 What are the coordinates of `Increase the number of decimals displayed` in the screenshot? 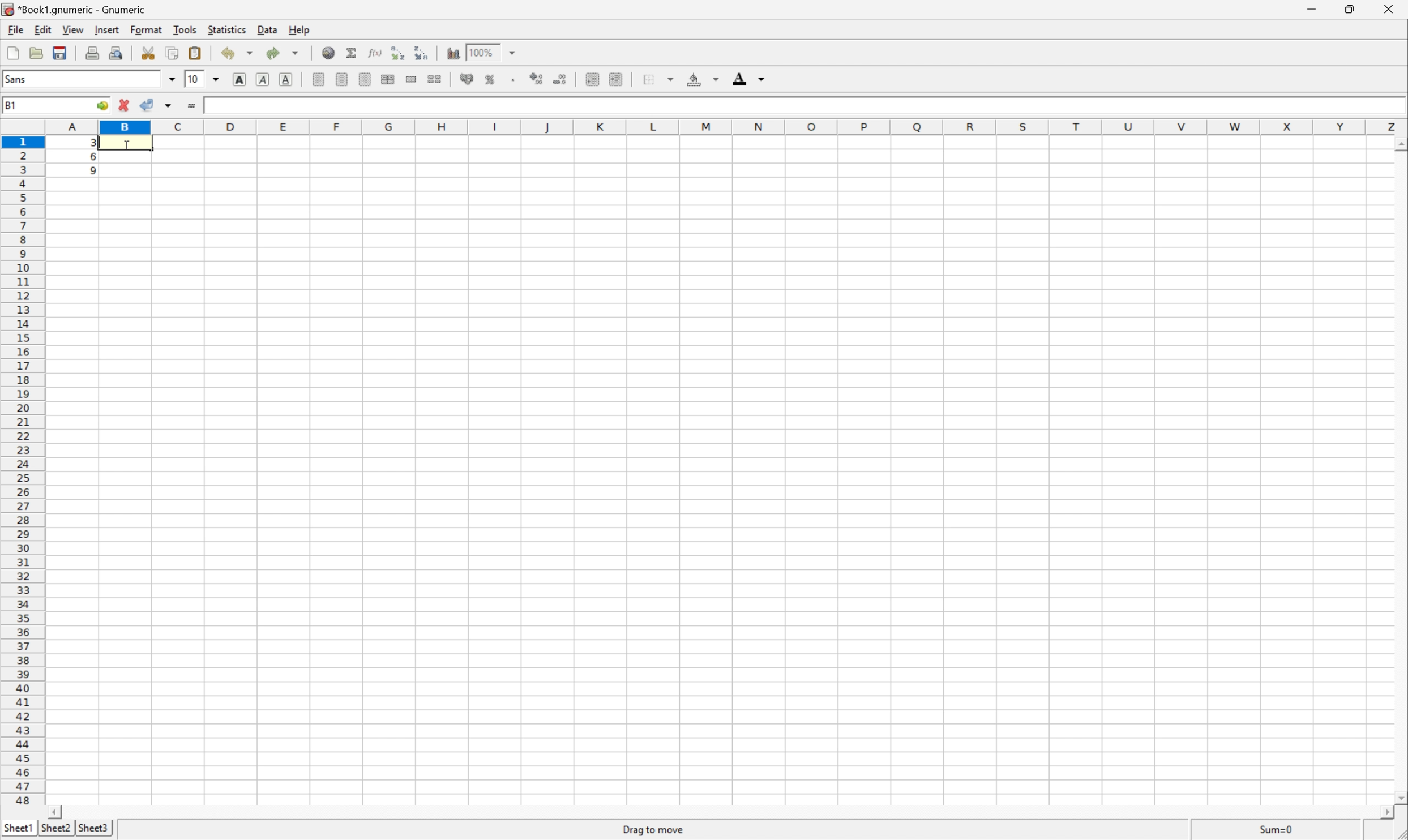 It's located at (538, 78).